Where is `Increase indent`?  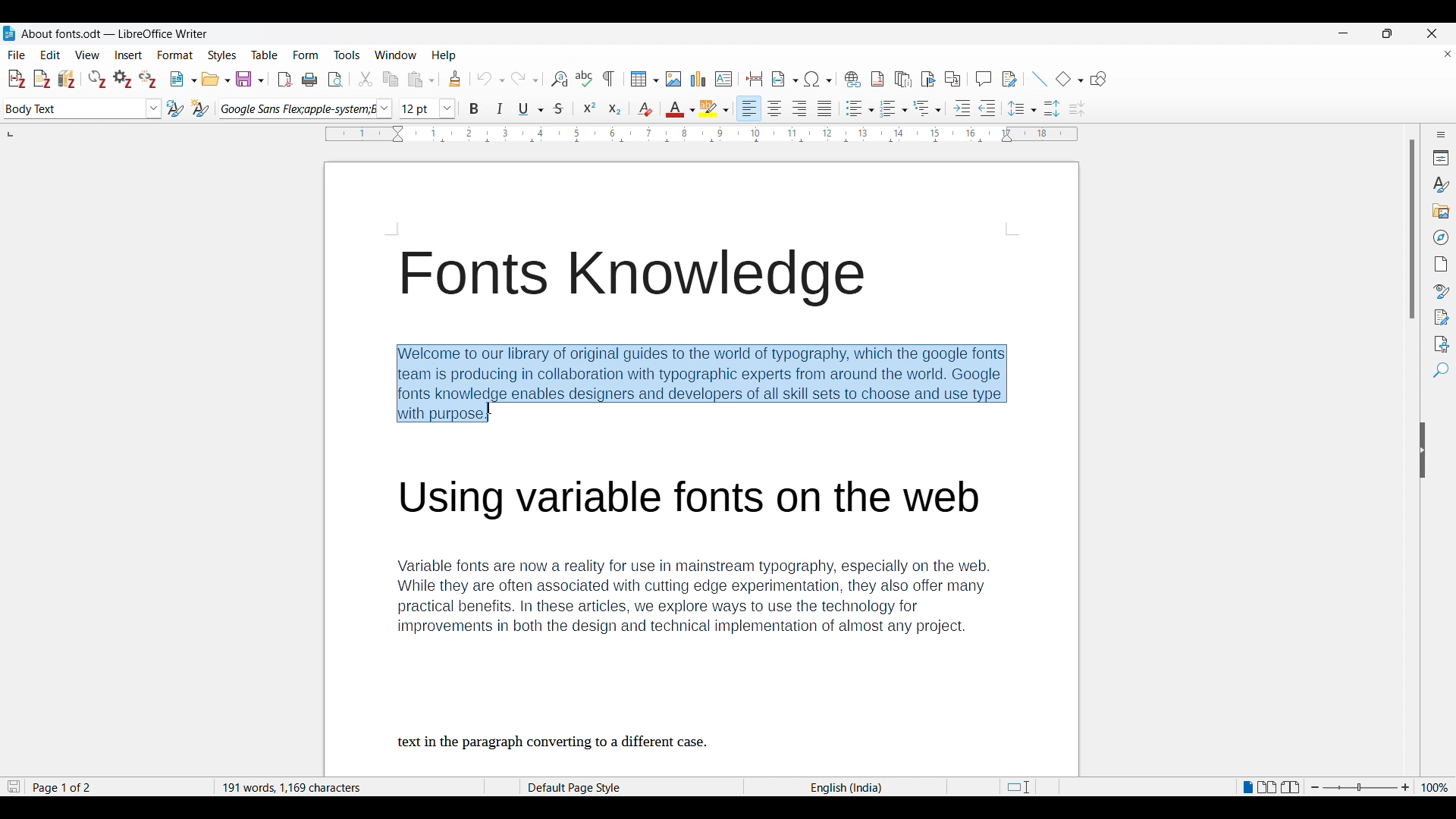
Increase indent is located at coordinates (962, 108).